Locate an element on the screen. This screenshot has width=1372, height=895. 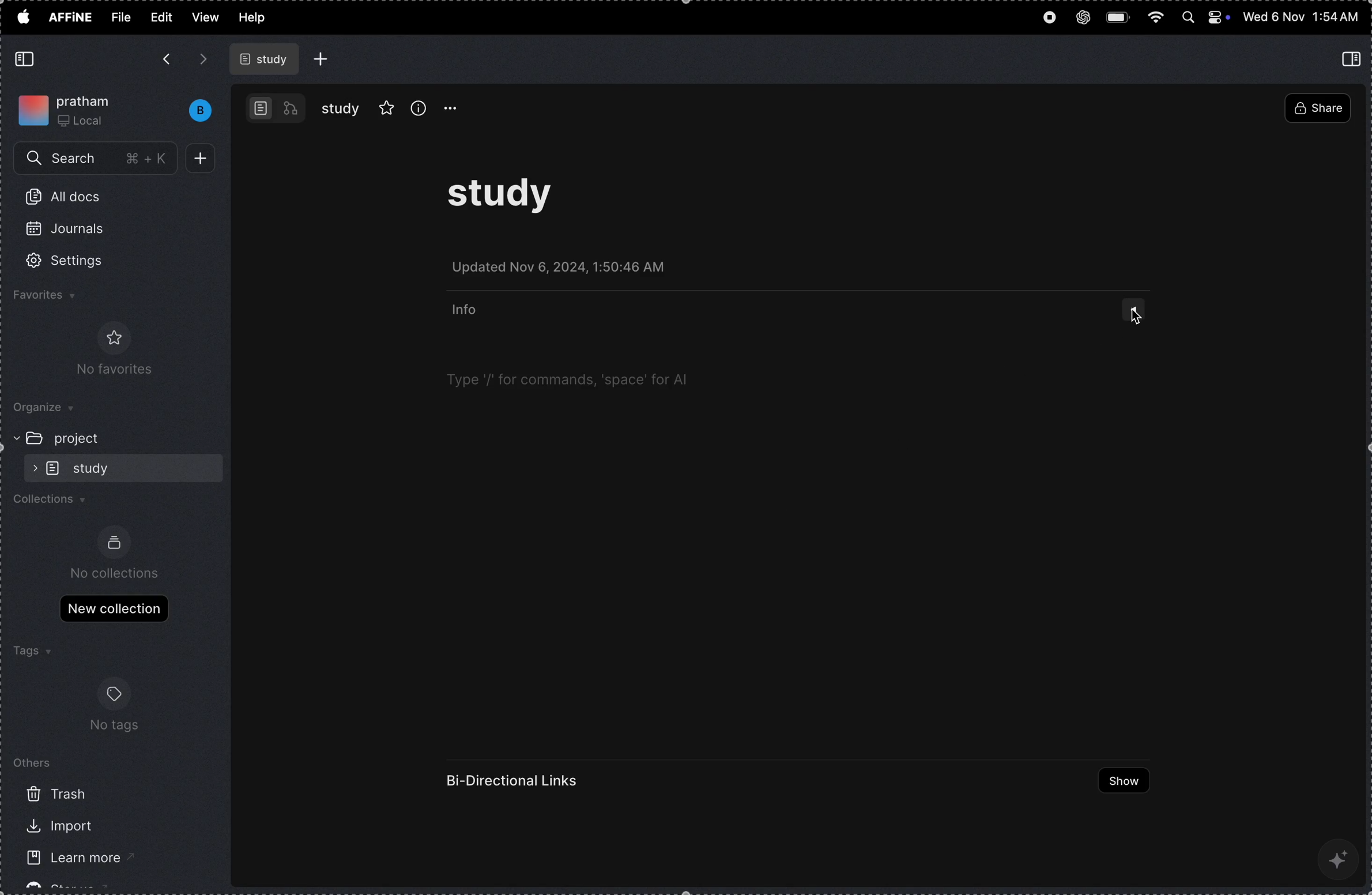
expand/collapse is located at coordinates (12, 437).